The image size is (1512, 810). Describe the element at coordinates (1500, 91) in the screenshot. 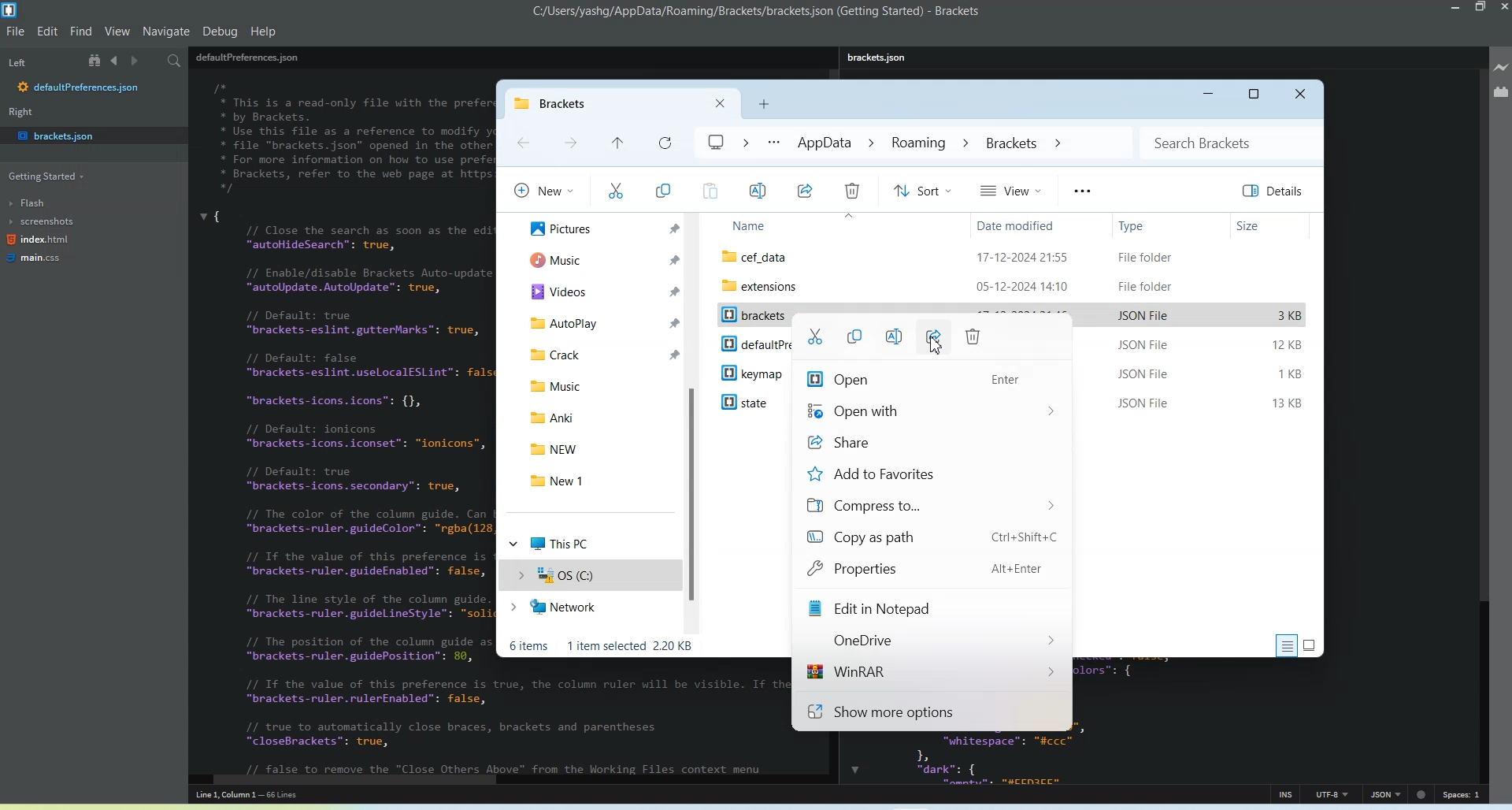

I see `Extension Manager` at that location.